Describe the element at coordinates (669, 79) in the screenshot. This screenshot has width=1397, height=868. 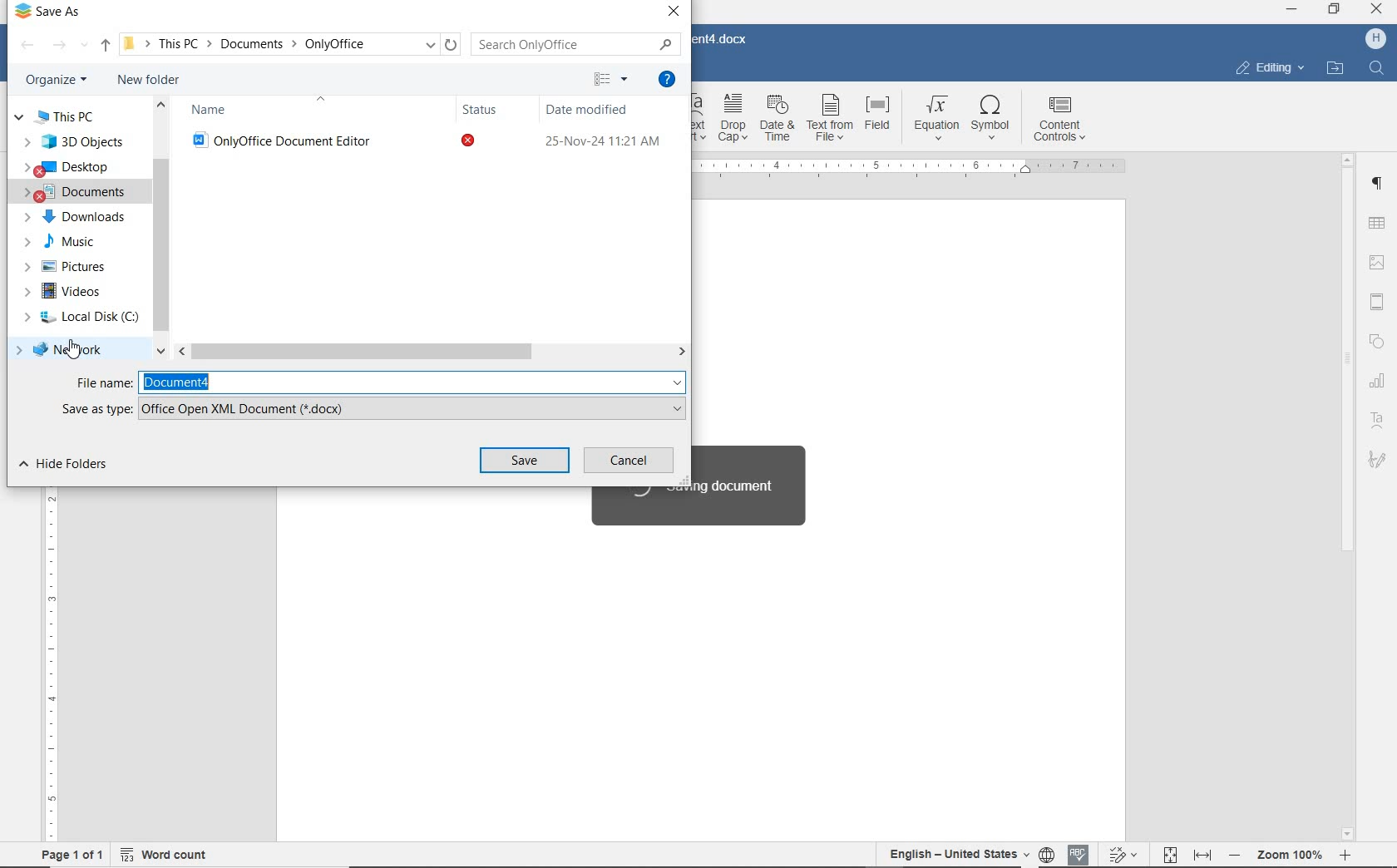
I see `get help` at that location.